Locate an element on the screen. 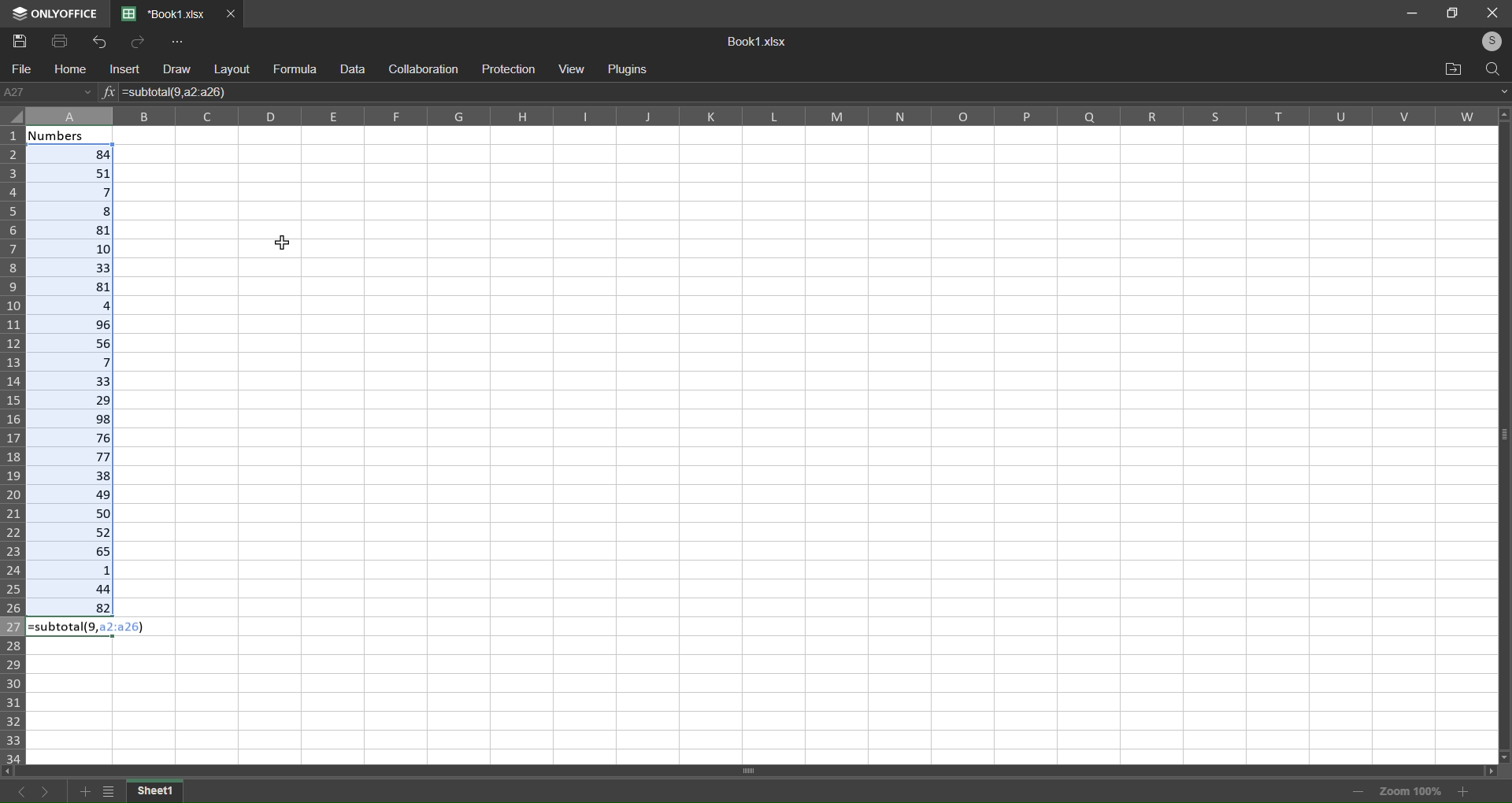 Image resolution: width=1512 pixels, height=803 pixels. select all is located at coordinates (17, 117).